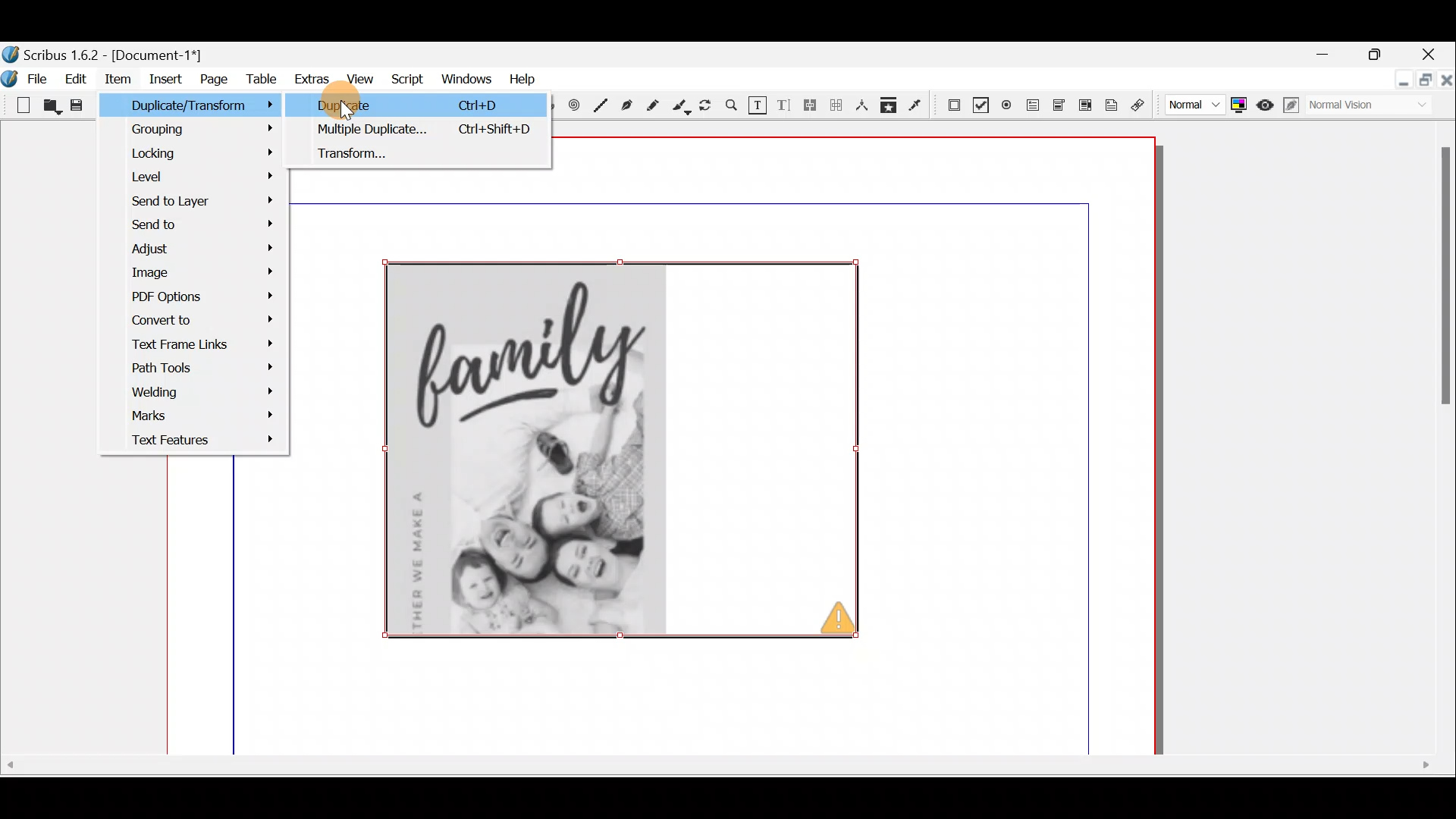 Image resolution: width=1456 pixels, height=819 pixels. What do you see at coordinates (310, 80) in the screenshot?
I see `Extras` at bounding box center [310, 80].